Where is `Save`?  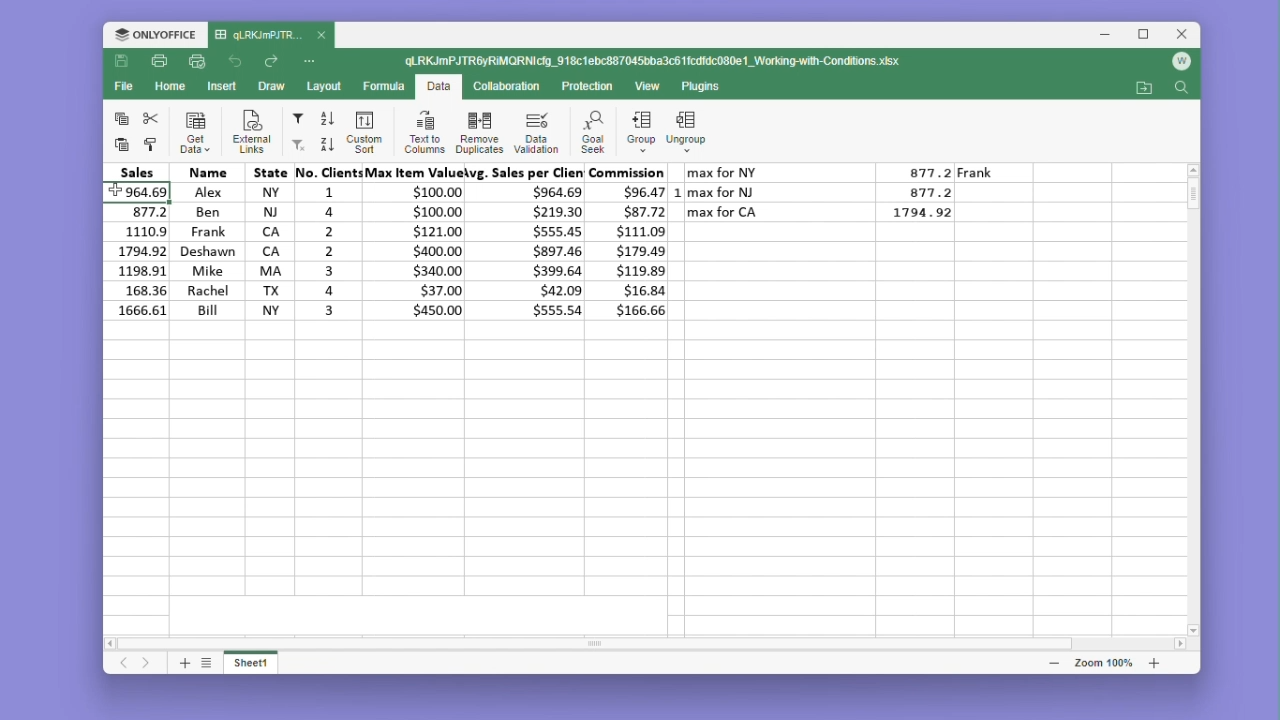 Save is located at coordinates (122, 62).